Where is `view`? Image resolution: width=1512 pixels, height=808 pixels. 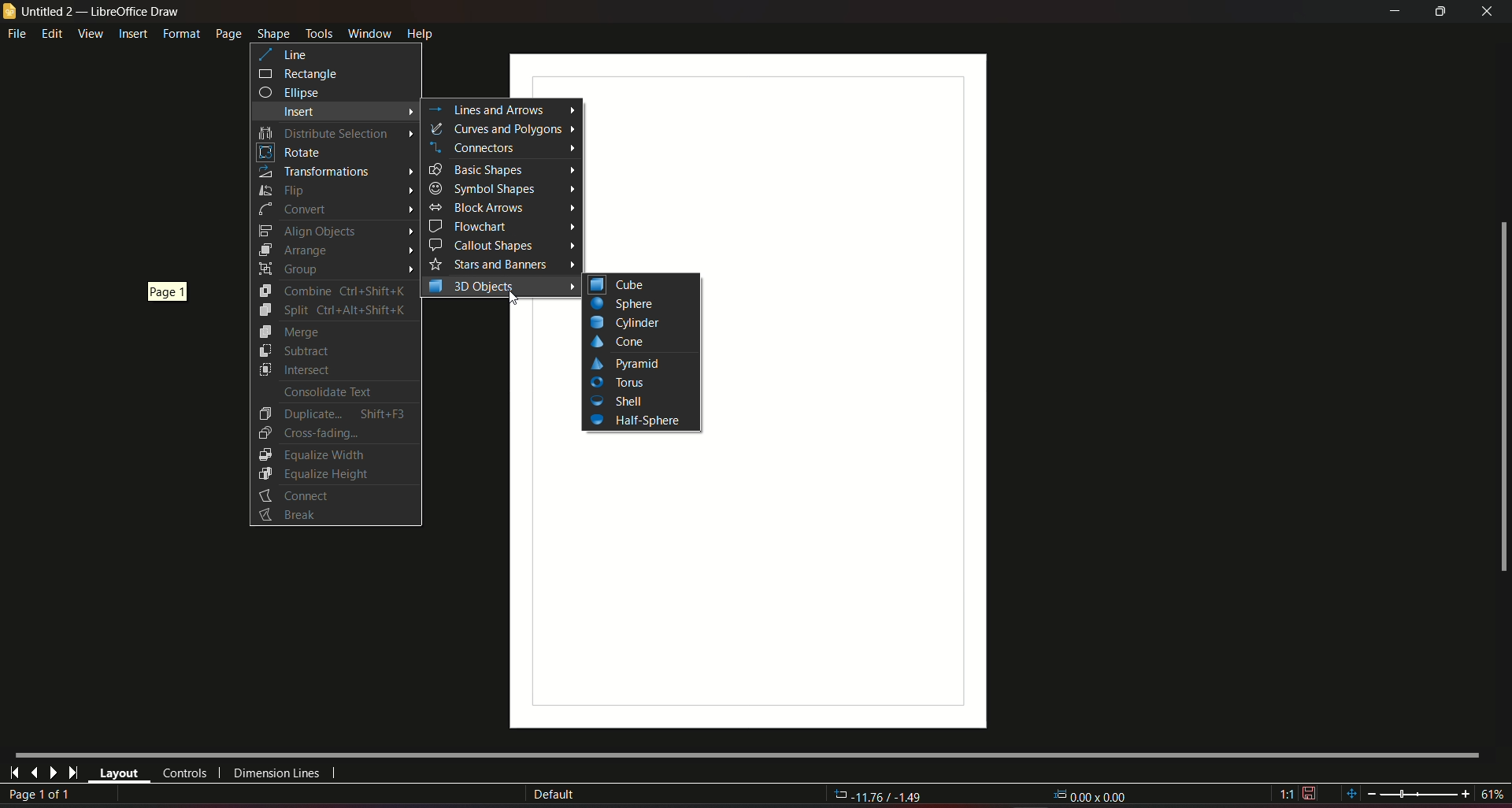
view is located at coordinates (90, 33).